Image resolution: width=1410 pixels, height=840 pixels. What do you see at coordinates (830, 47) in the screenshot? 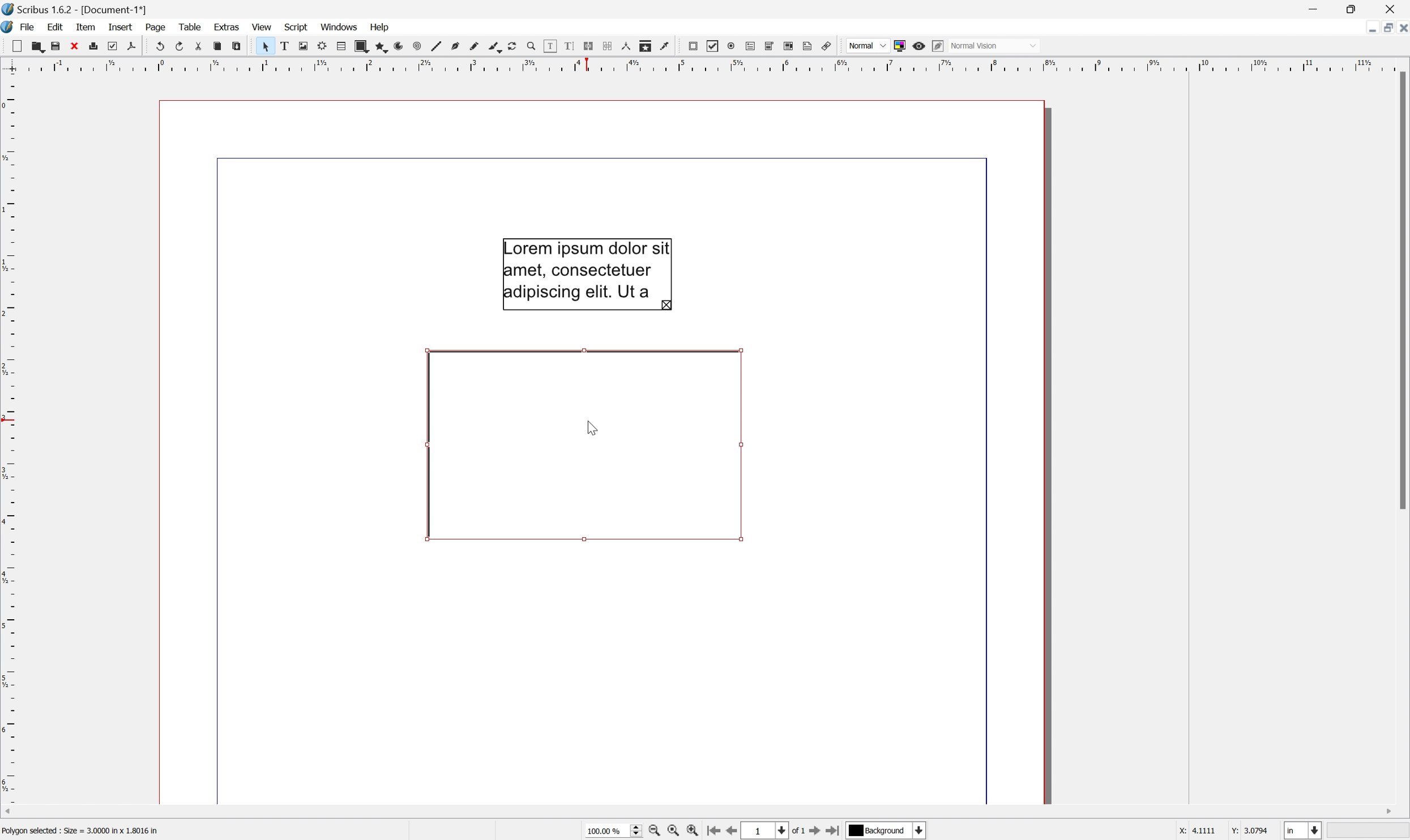
I see `Link annotation` at bounding box center [830, 47].